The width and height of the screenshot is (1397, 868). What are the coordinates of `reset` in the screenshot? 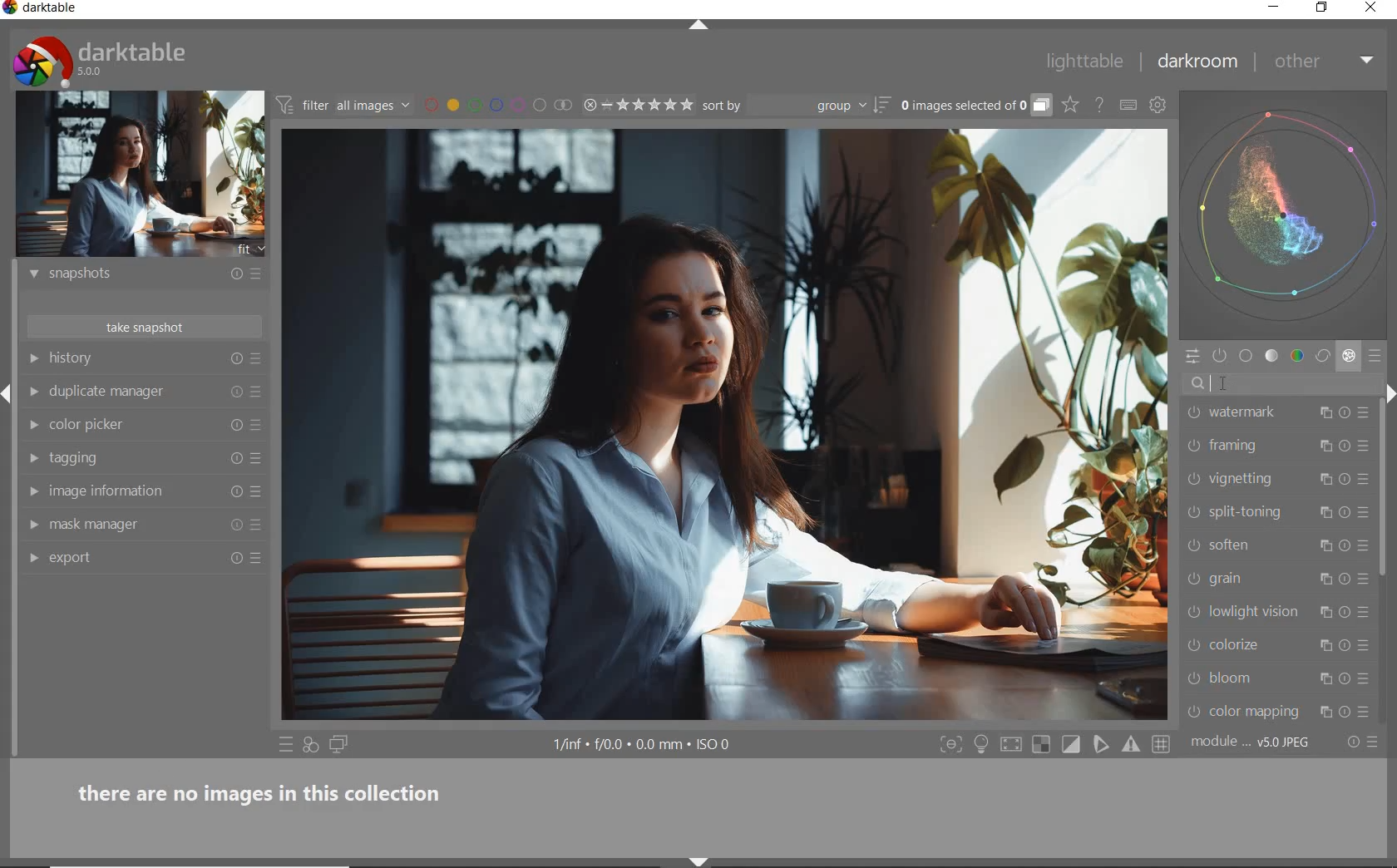 It's located at (232, 276).